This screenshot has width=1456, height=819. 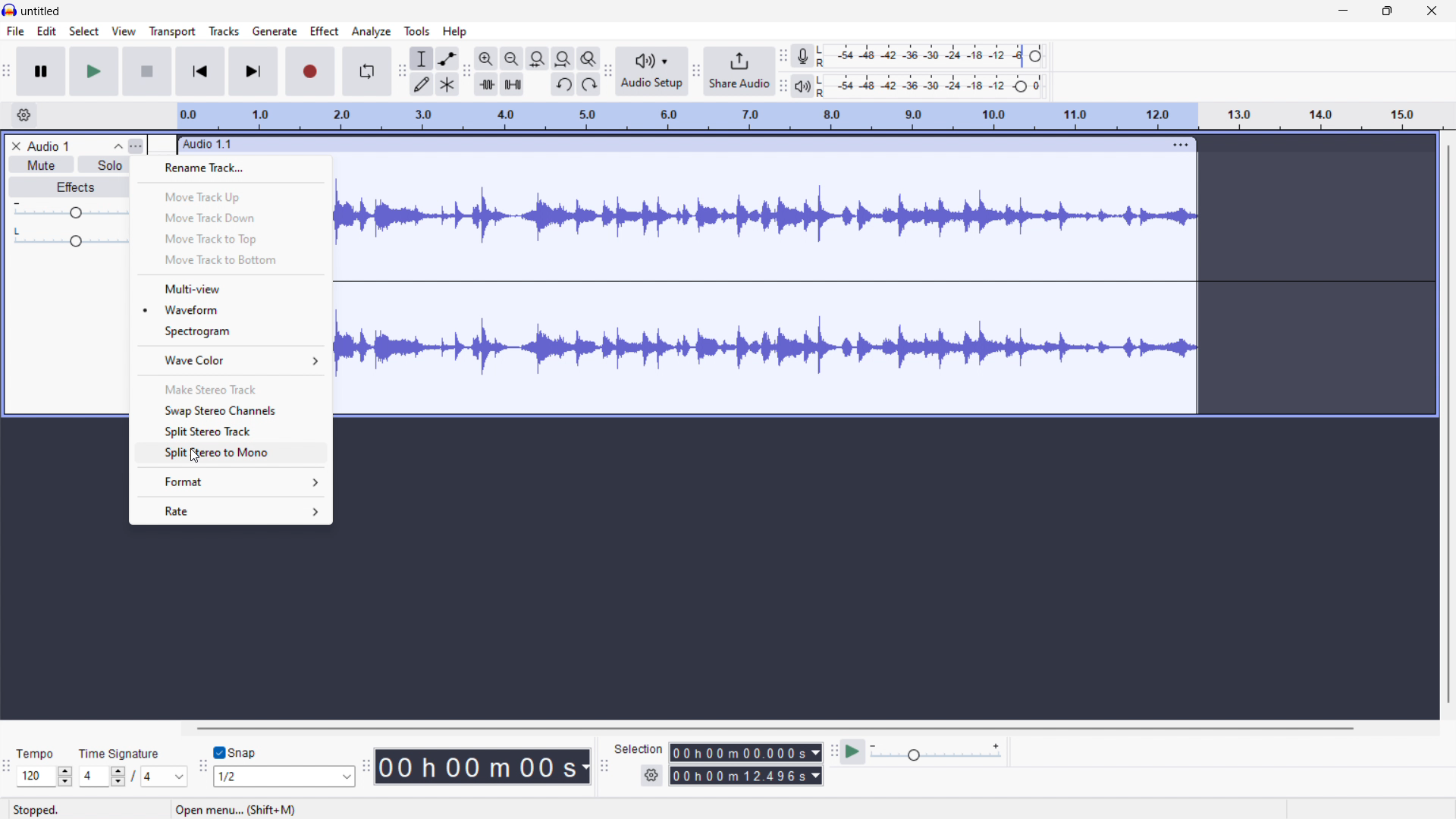 What do you see at coordinates (41, 71) in the screenshot?
I see `pause` at bounding box center [41, 71].